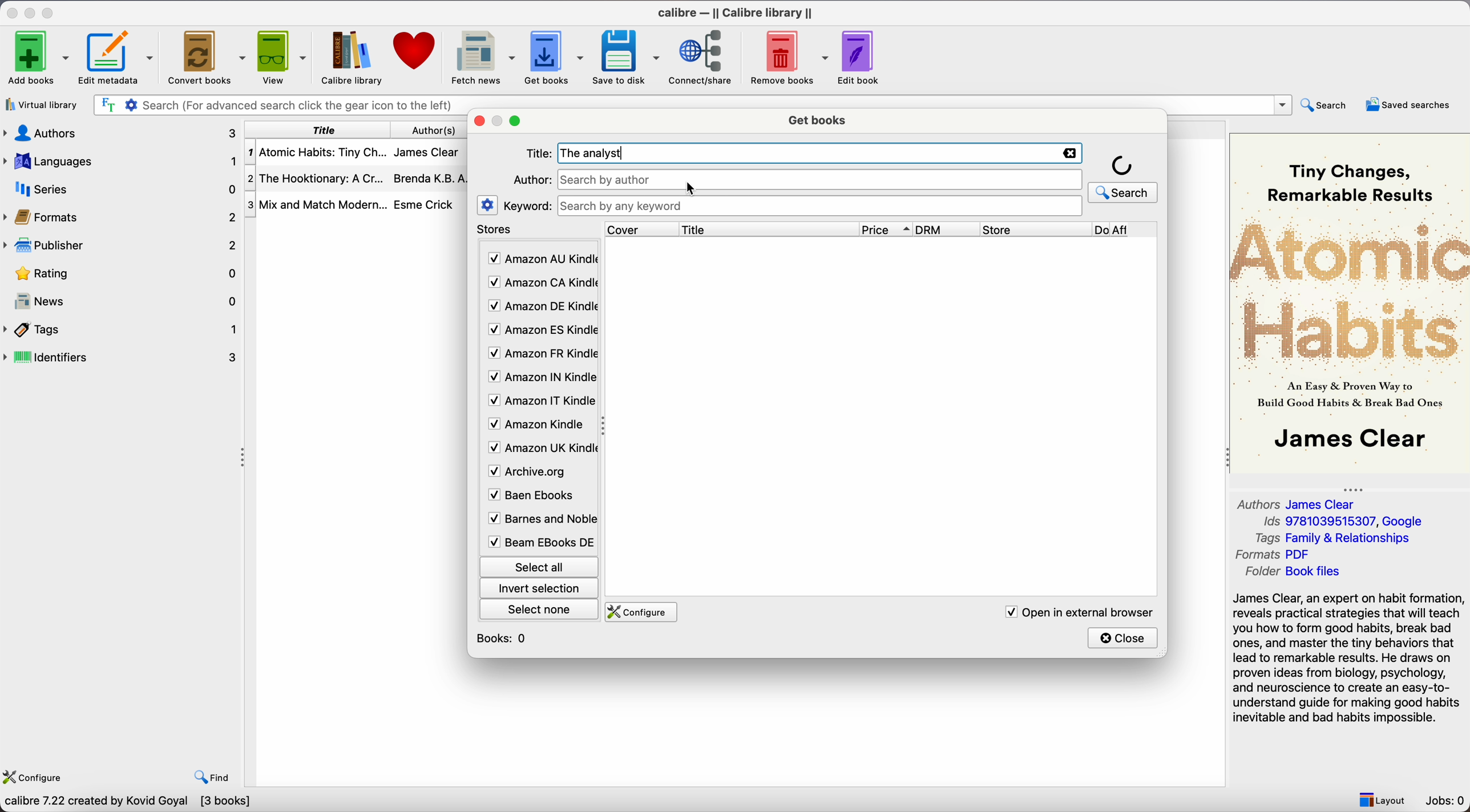  Describe the element at coordinates (479, 56) in the screenshot. I see `fetch news` at that location.